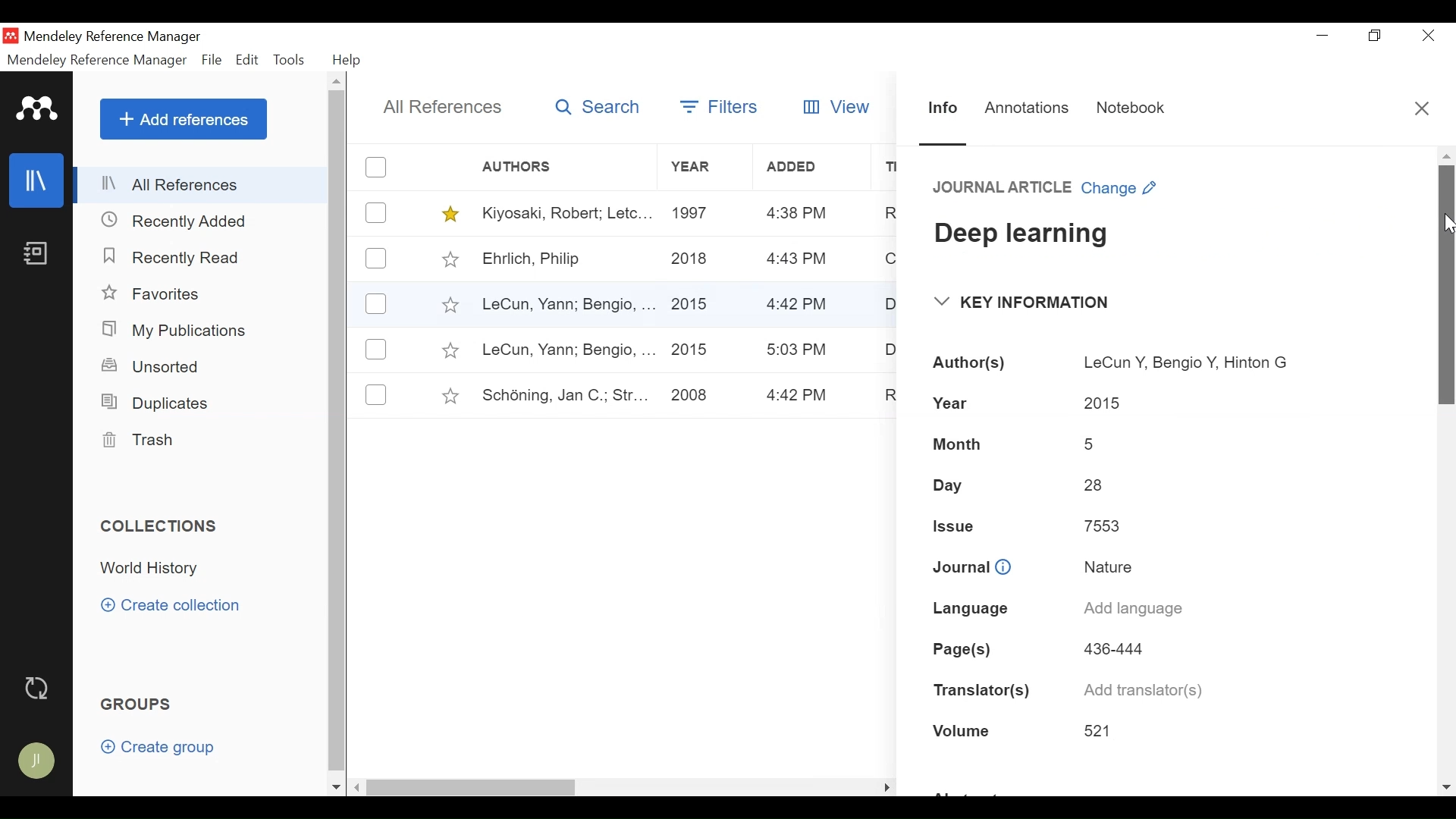 This screenshot has height=819, width=1456. I want to click on Toggle Favorites, so click(451, 214).